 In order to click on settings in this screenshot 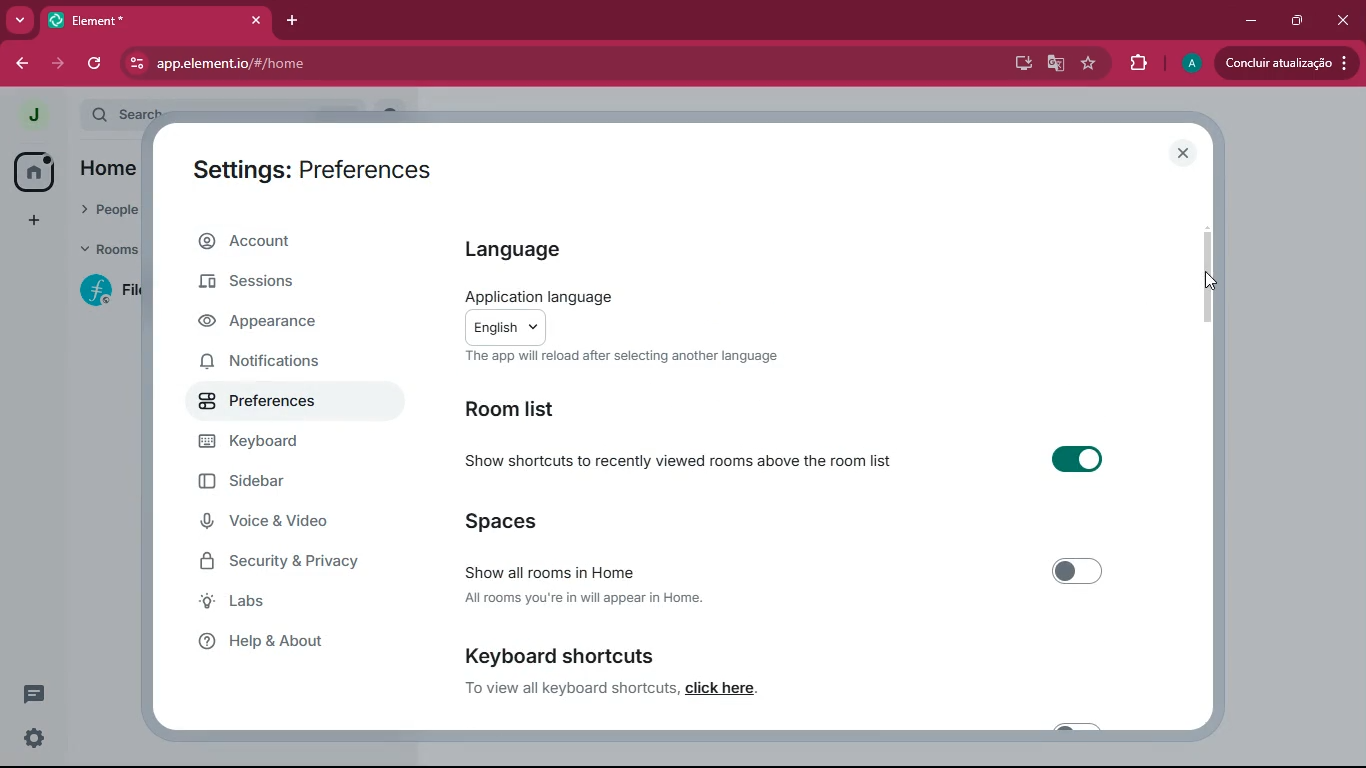, I will do `click(30, 739)`.